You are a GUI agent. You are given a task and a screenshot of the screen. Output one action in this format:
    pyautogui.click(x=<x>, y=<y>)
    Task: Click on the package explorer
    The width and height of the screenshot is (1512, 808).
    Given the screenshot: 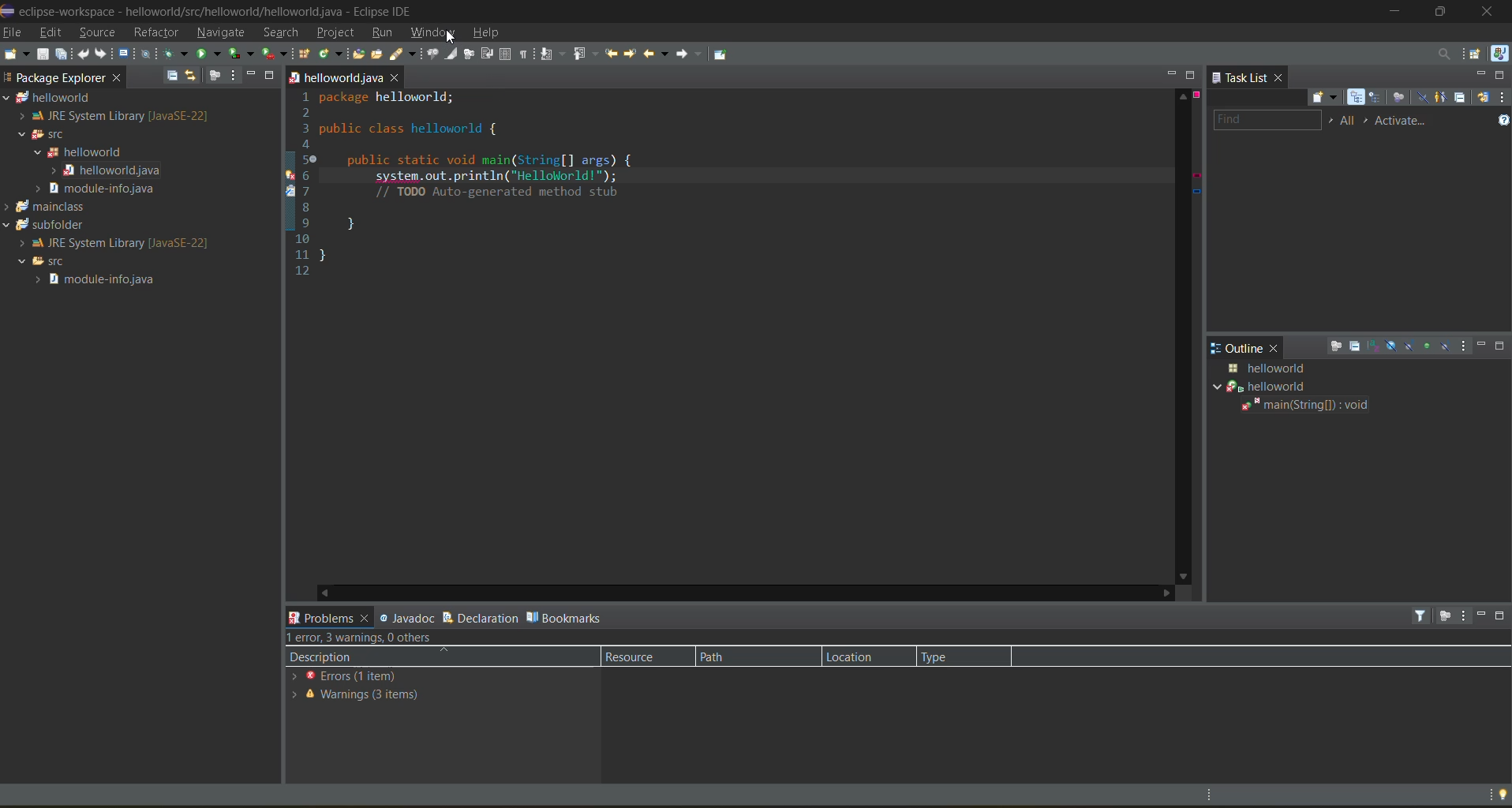 What is the action you would take?
    pyautogui.click(x=53, y=78)
    